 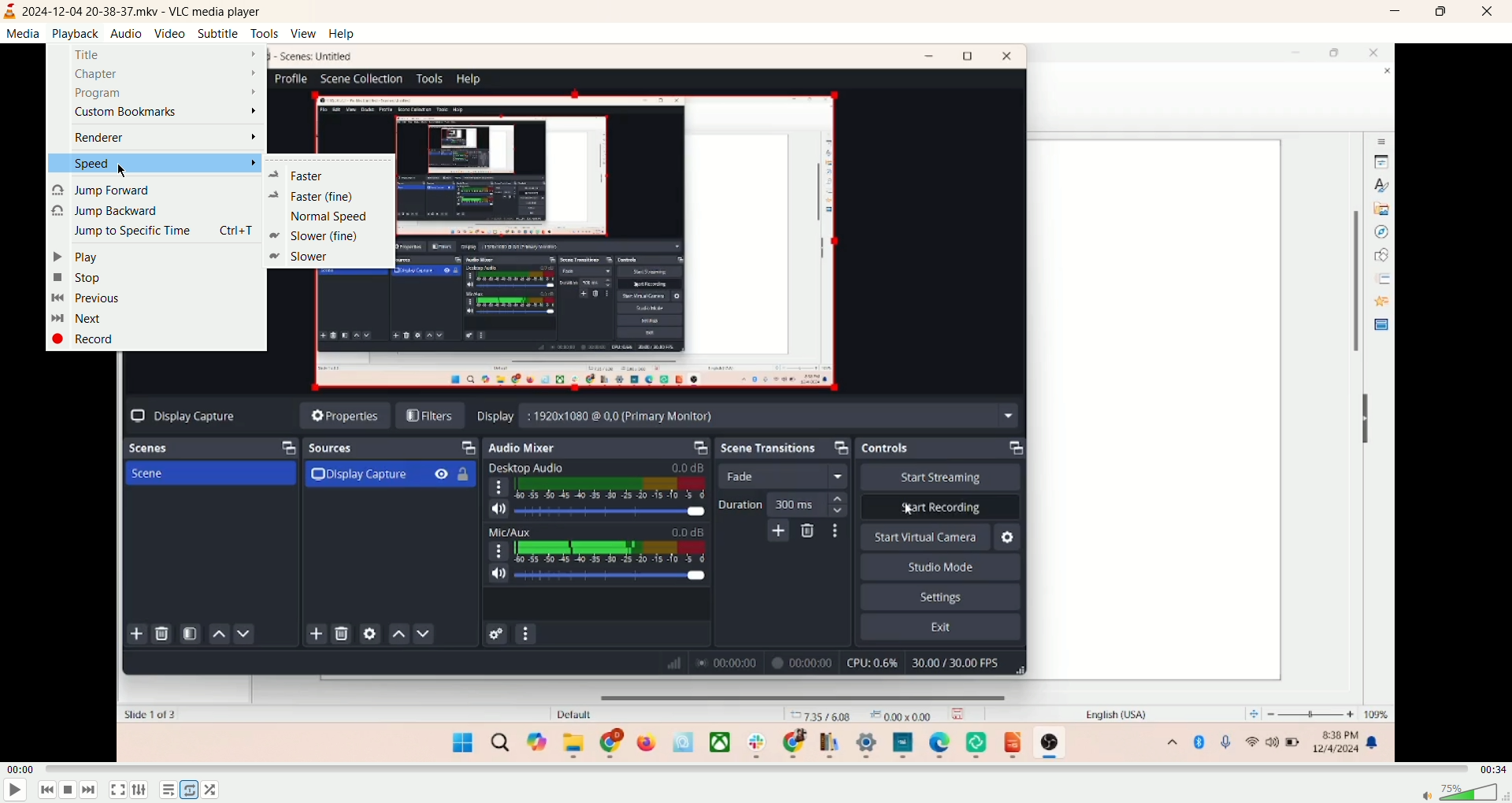 I want to click on audio, so click(x=126, y=32).